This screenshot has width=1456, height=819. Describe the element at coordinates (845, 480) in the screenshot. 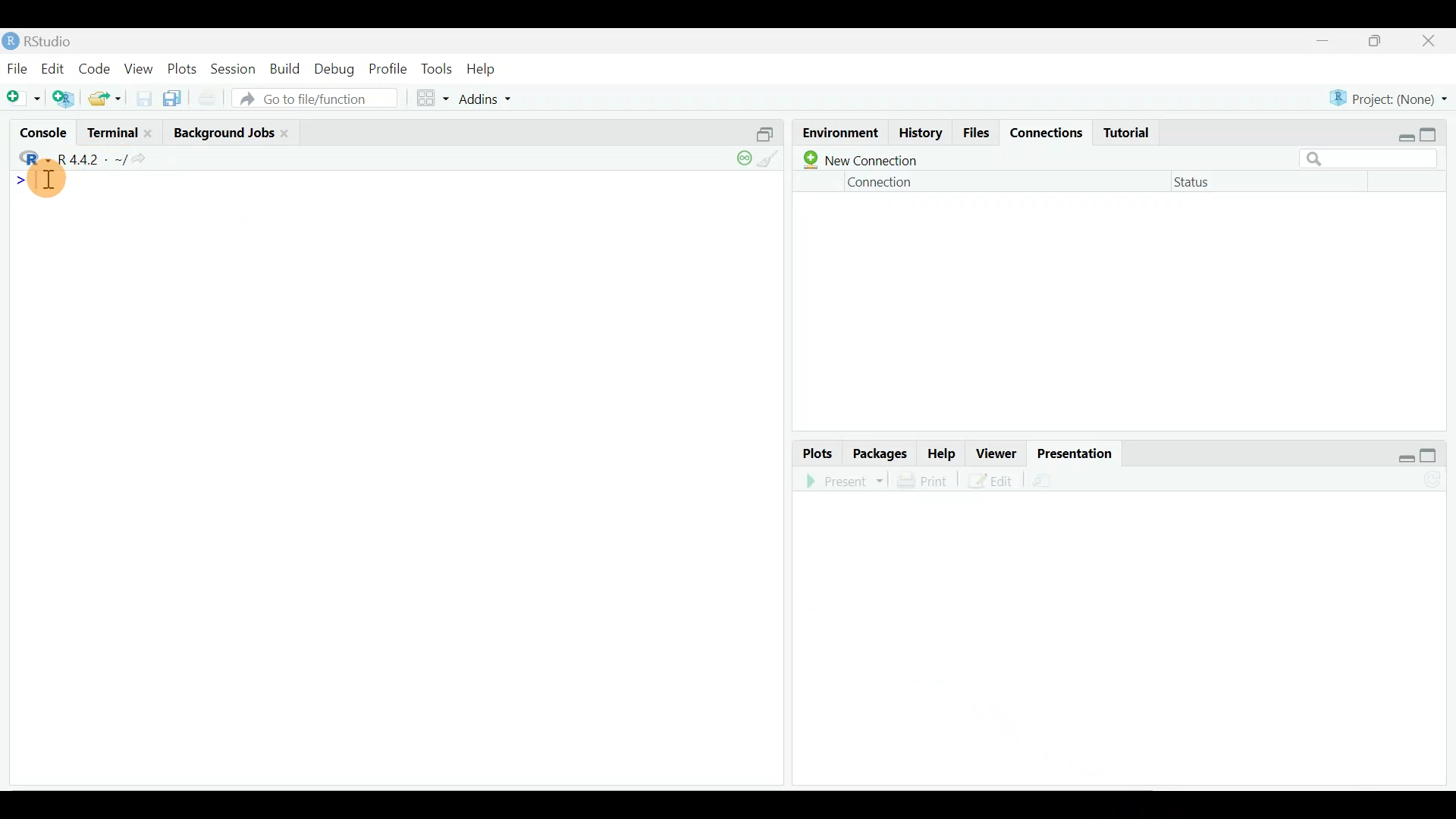

I see `Present in an external web browser` at that location.